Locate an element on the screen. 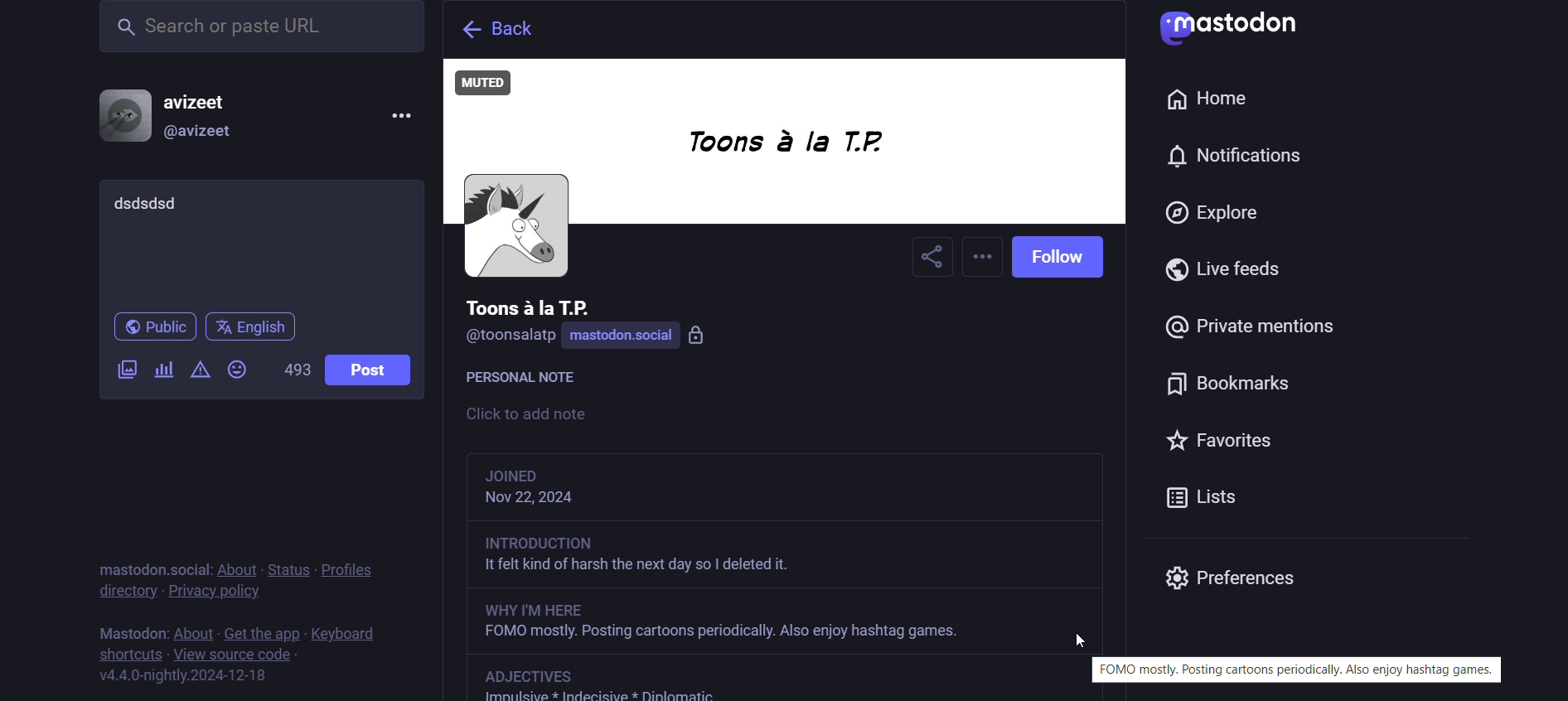 The image size is (1568, 701). menu is located at coordinates (985, 259).